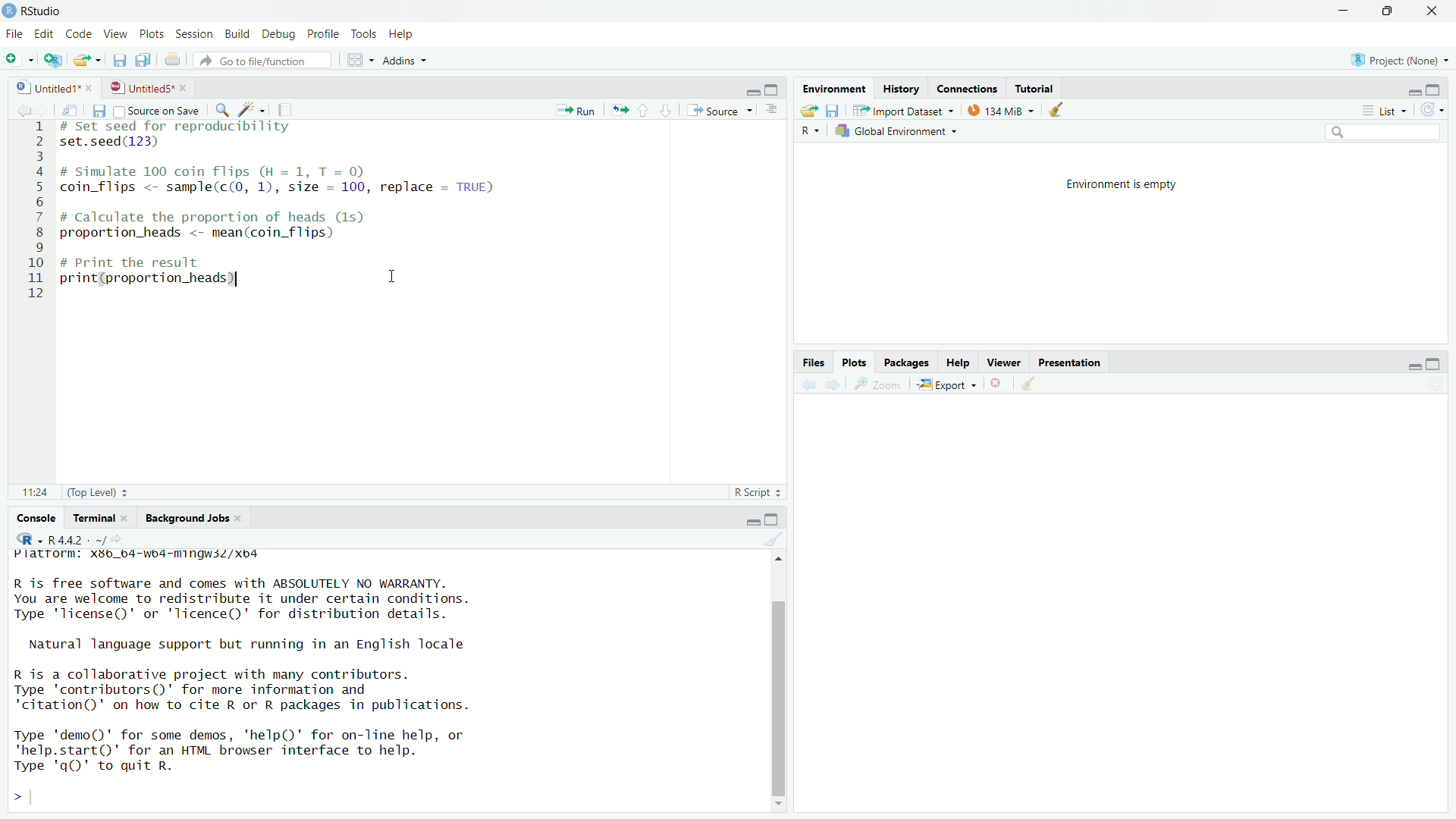 The height and width of the screenshot is (819, 1456). What do you see at coordinates (1439, 363) in the screenshot?
I see `maximize` at bounding box center [1439, 363].